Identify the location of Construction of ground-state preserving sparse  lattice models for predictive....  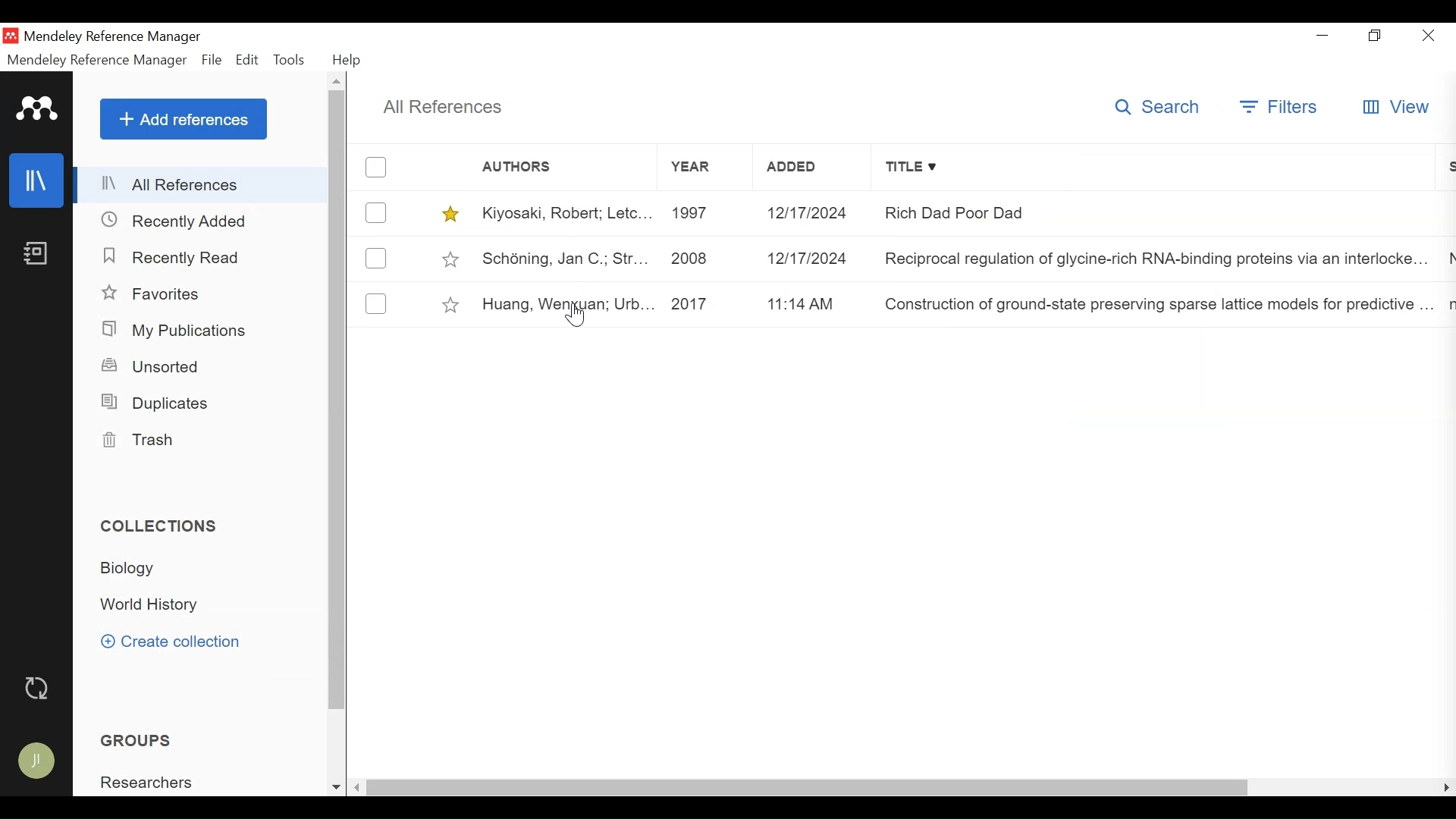
(1159, 306).